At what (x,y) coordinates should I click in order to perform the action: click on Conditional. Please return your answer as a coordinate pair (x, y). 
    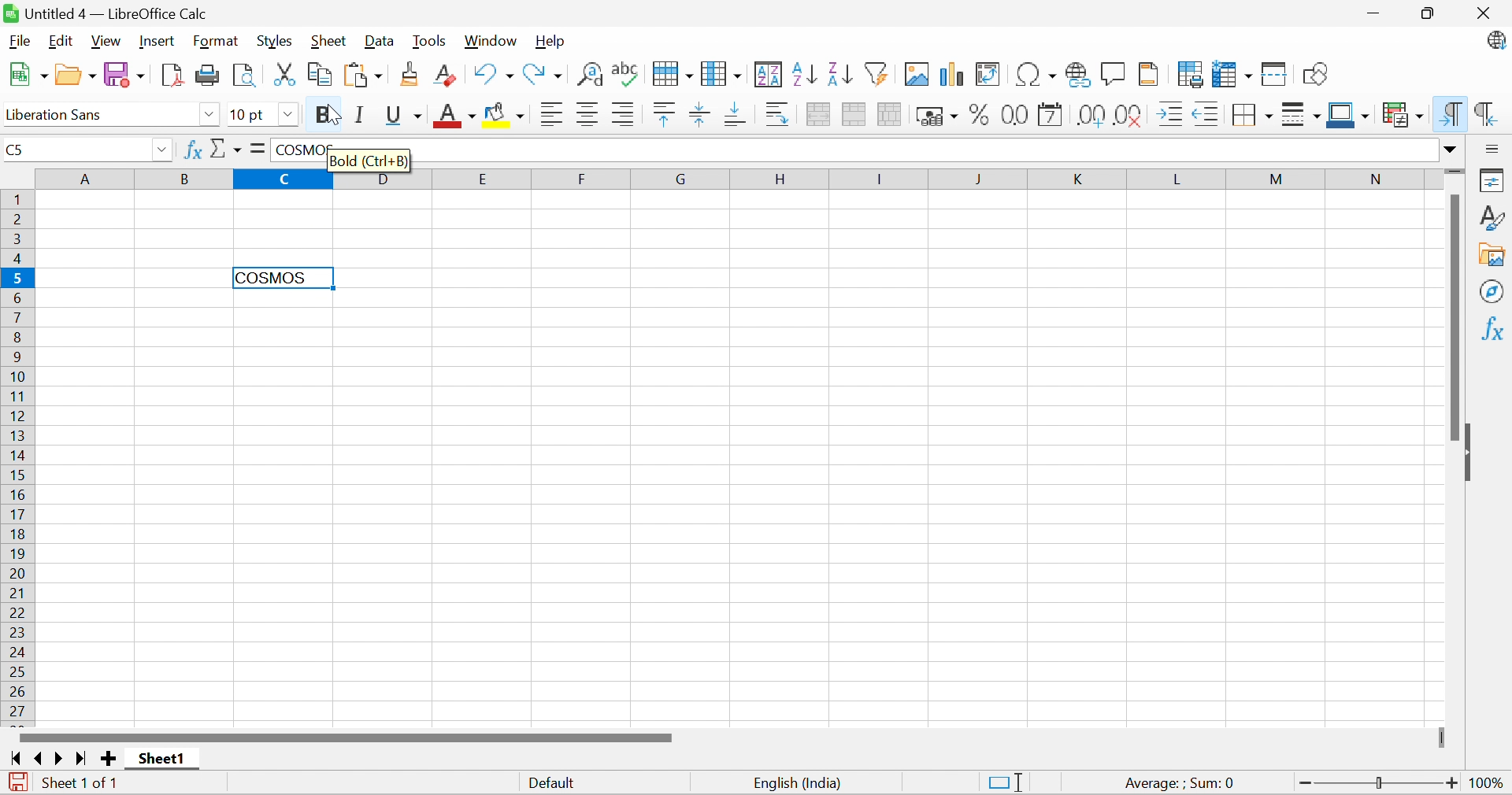
    Looking at the image, I should click on (1404, 114).